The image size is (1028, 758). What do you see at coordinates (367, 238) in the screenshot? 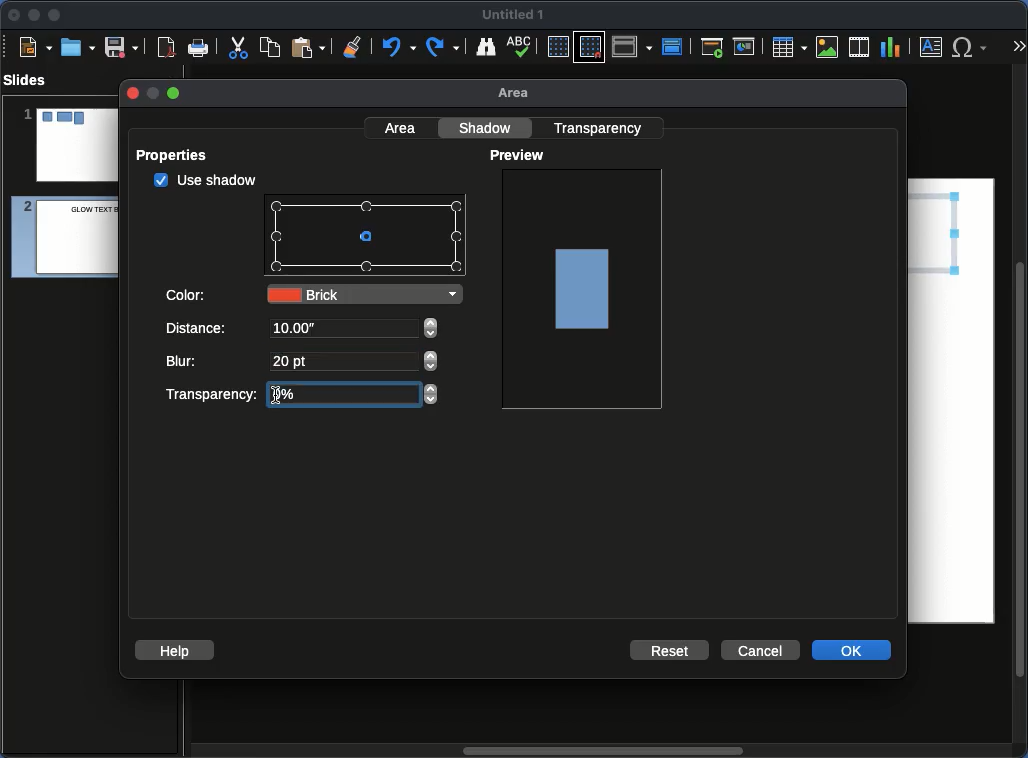
I see `Points` at bounding box center [367, 238].